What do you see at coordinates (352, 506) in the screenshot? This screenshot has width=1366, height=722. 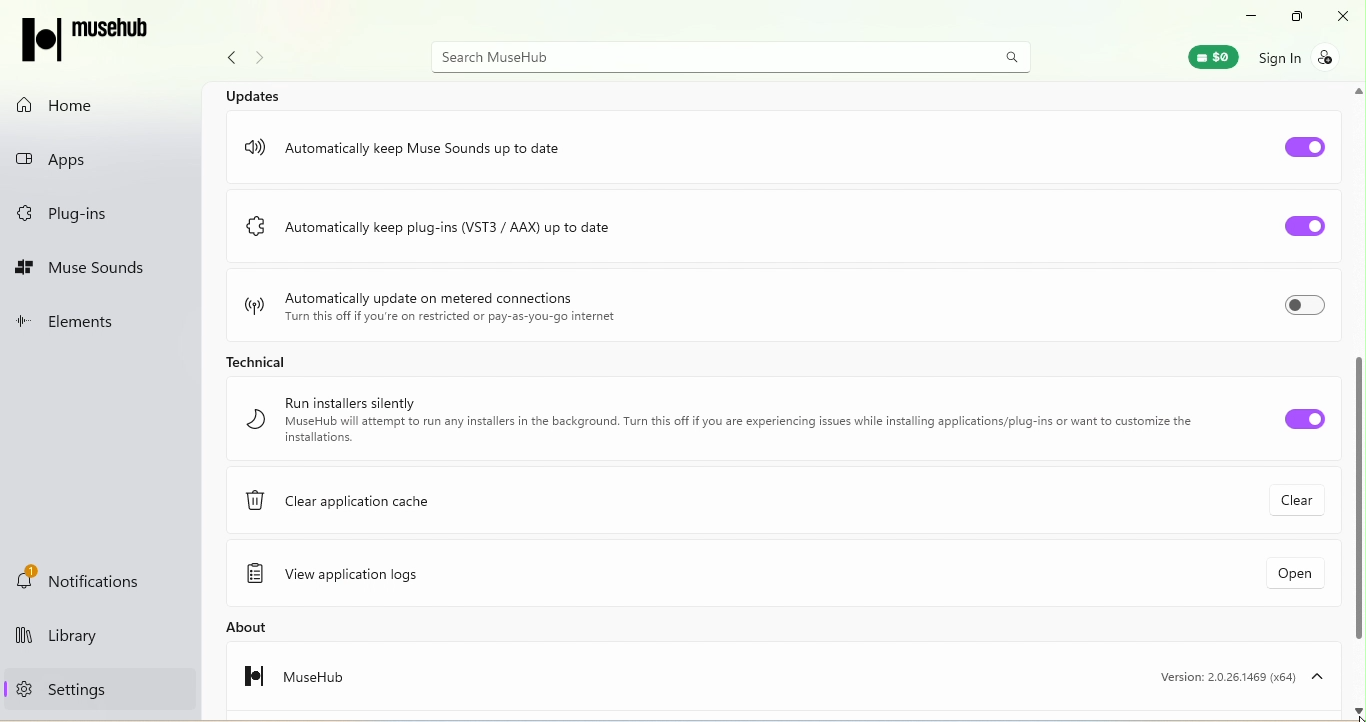 I see `Clear application cache` at bounding box center [352, 506].